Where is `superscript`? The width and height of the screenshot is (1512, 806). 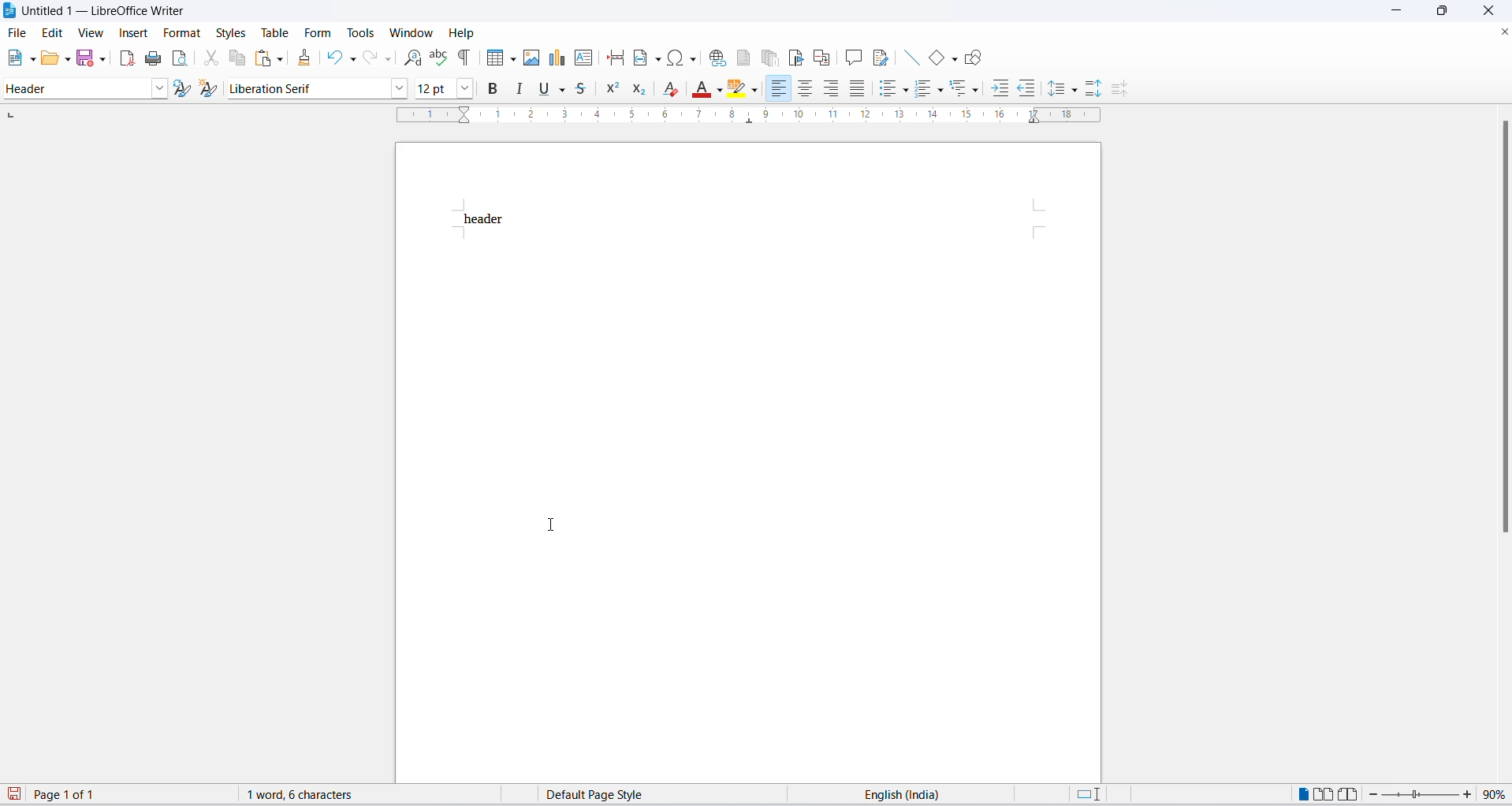 superscript is located at coordinates (615, 90).